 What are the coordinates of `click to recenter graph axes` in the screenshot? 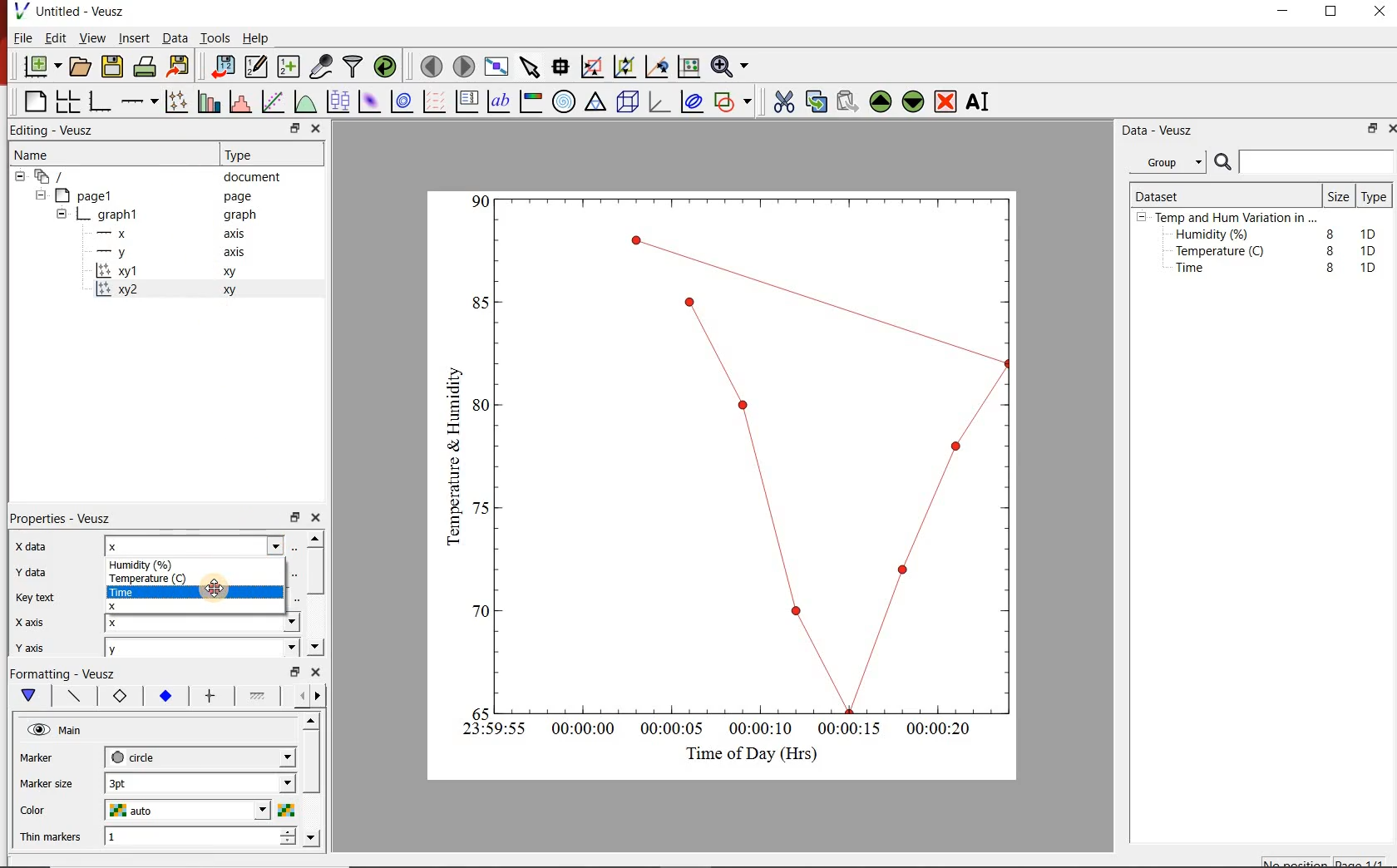 It's located at (657, 67).